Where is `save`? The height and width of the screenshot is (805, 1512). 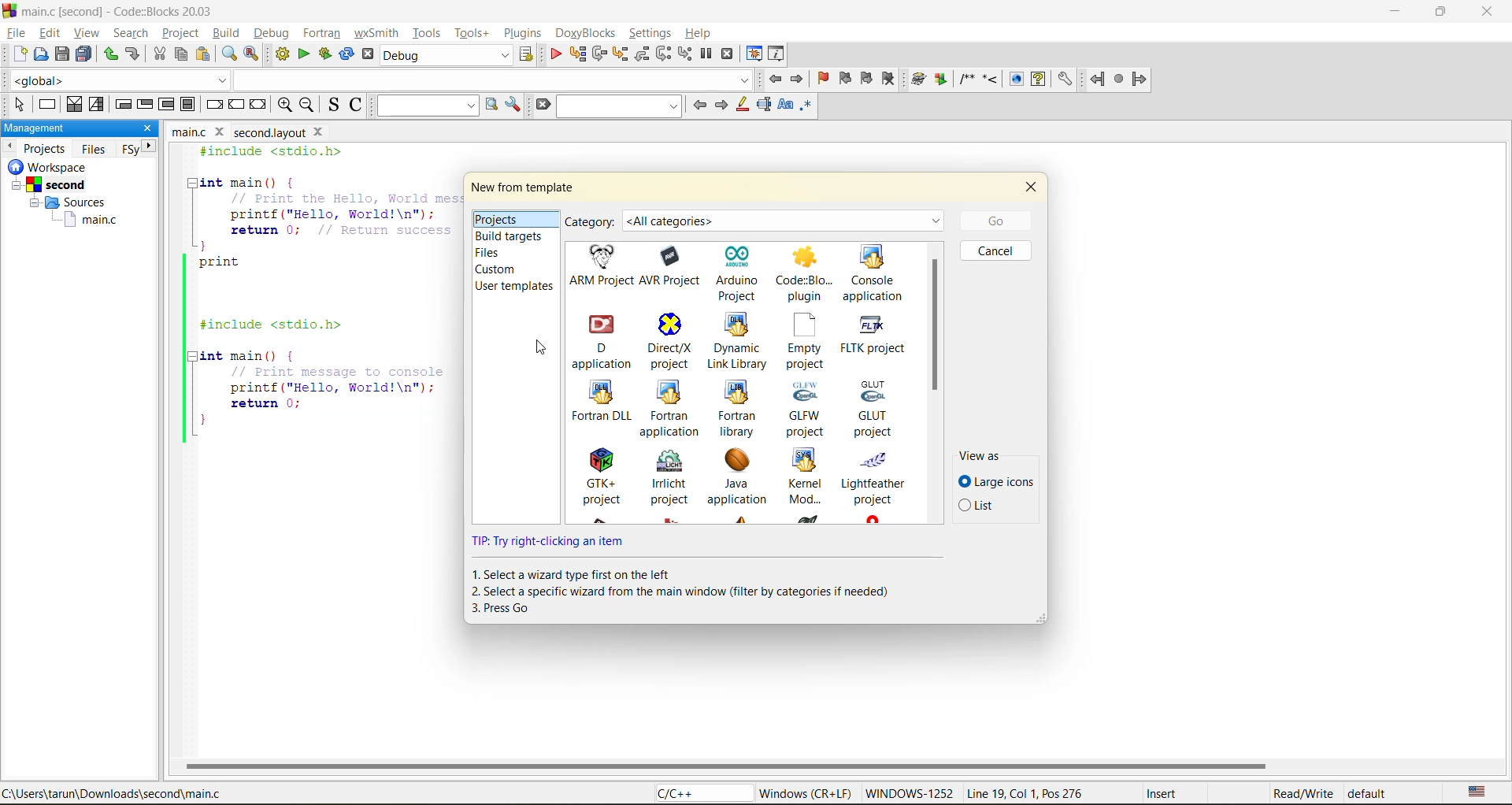
save is located at coordinates (61, 53).